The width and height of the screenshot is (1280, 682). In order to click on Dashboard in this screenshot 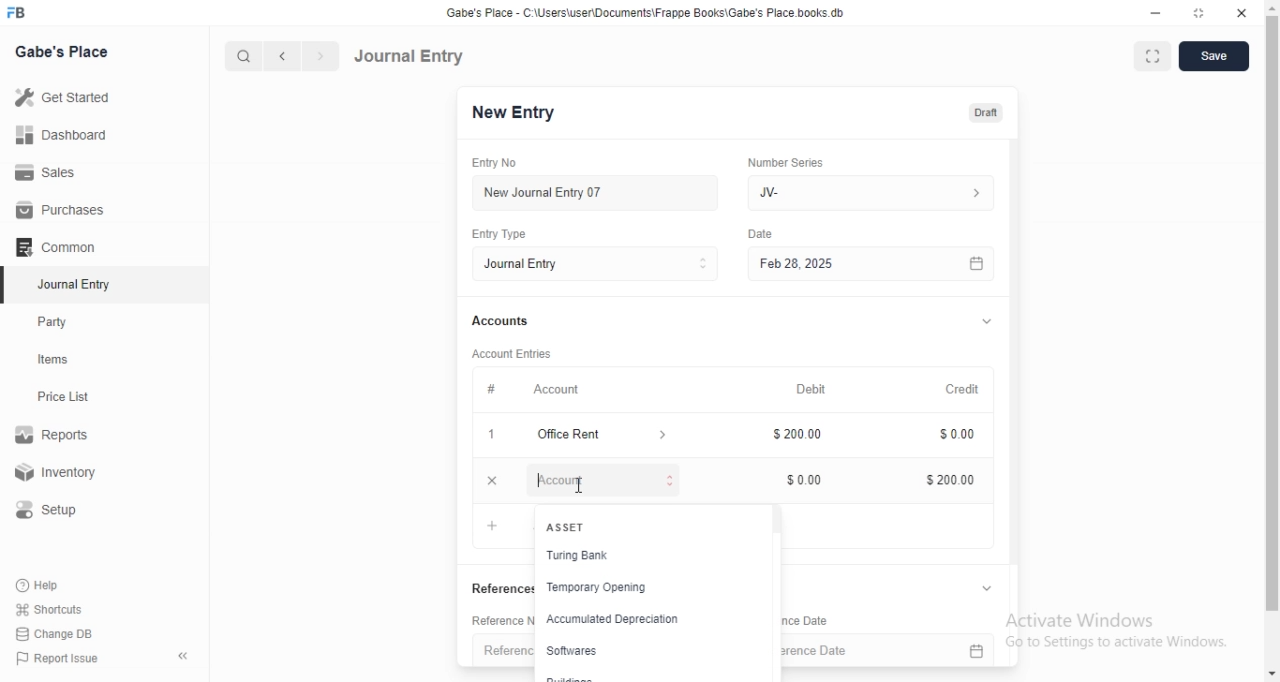, I will do `click(59, 135)`.